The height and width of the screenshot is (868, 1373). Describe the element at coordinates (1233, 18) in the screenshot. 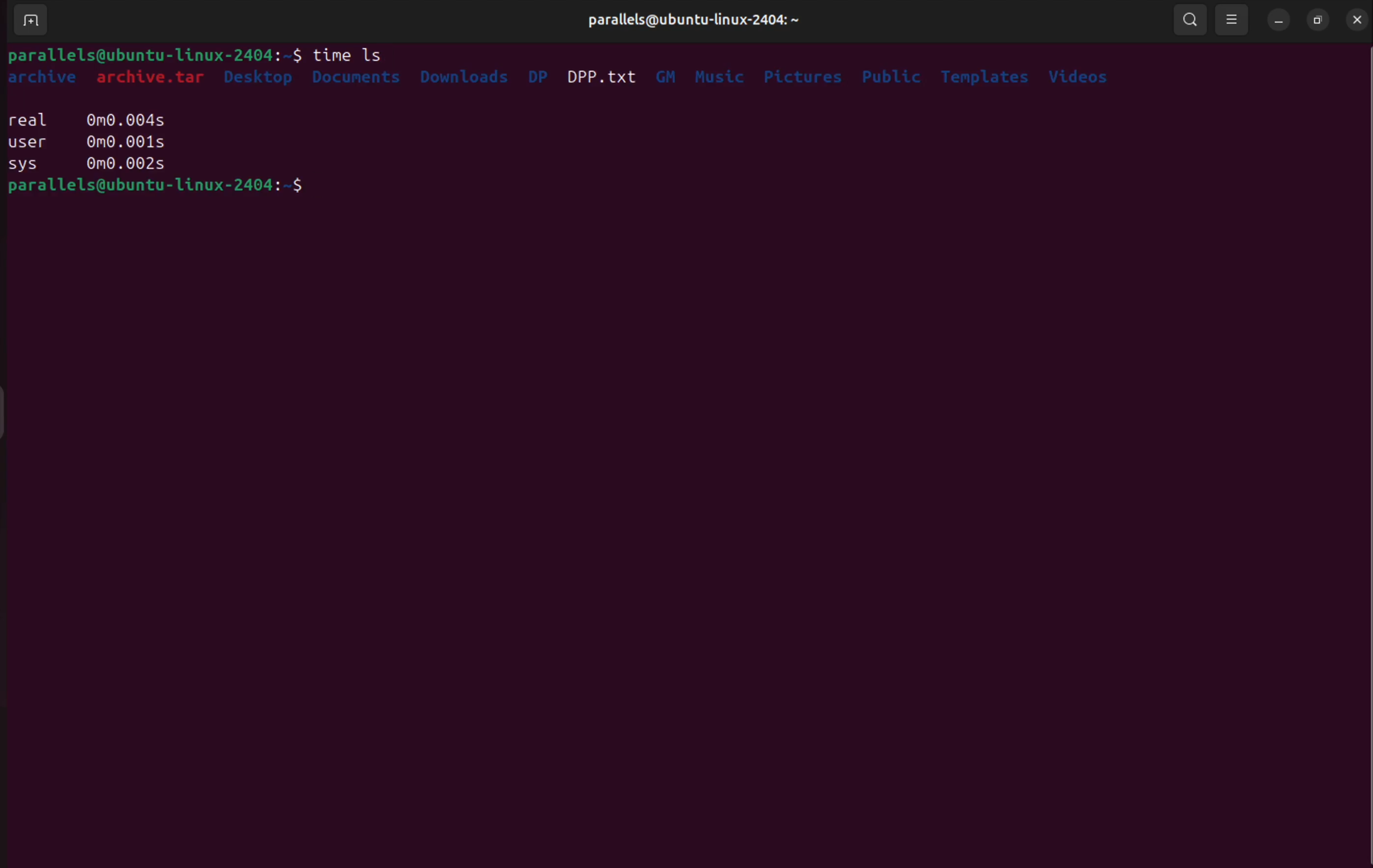

I see `resize` at that location.